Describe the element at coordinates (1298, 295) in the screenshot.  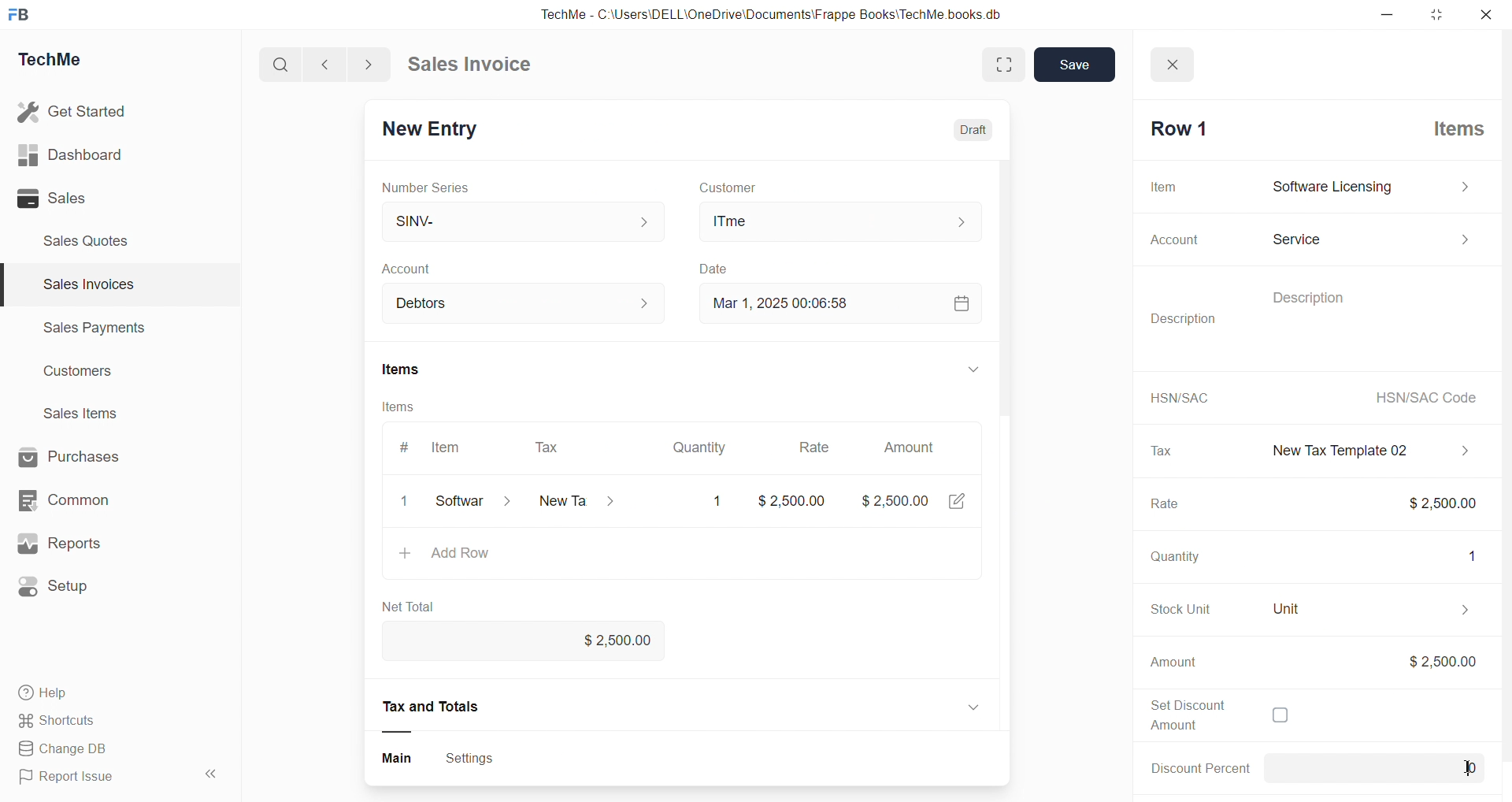
I see `Description` at that location.